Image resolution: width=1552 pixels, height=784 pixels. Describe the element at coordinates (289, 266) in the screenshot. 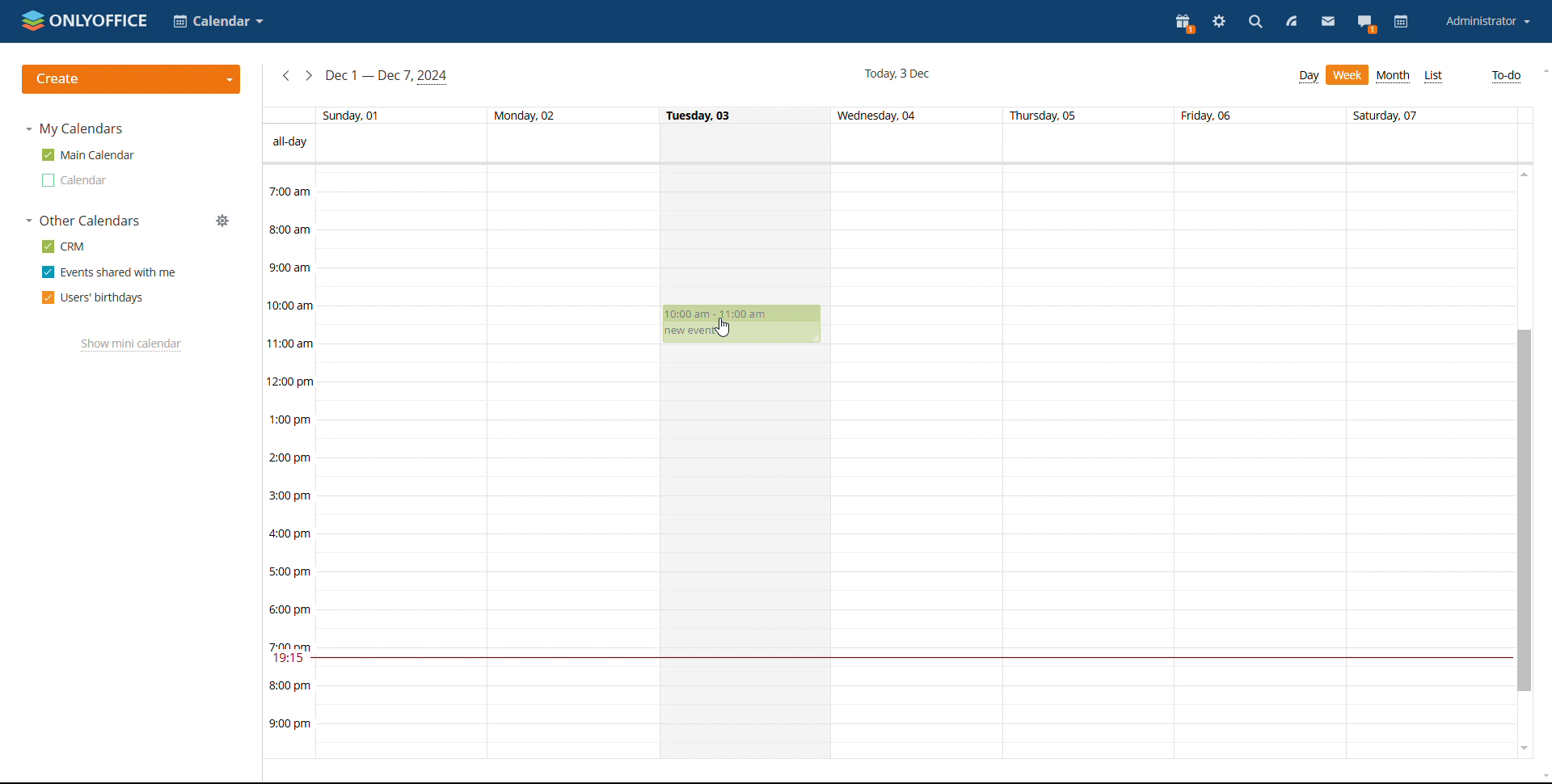

I see `9:00 am` at that location.